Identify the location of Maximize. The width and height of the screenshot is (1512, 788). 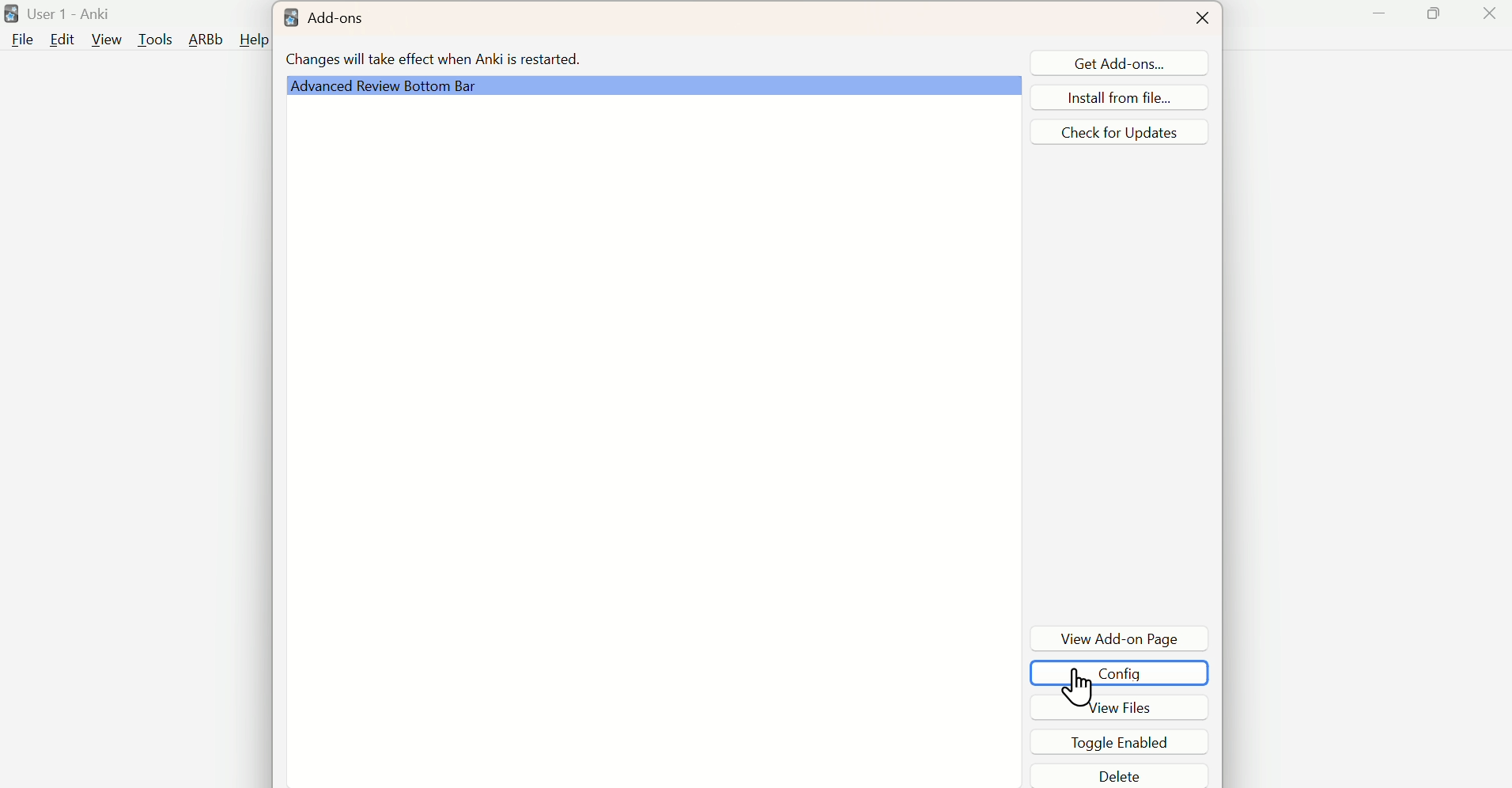
(1438, 13).